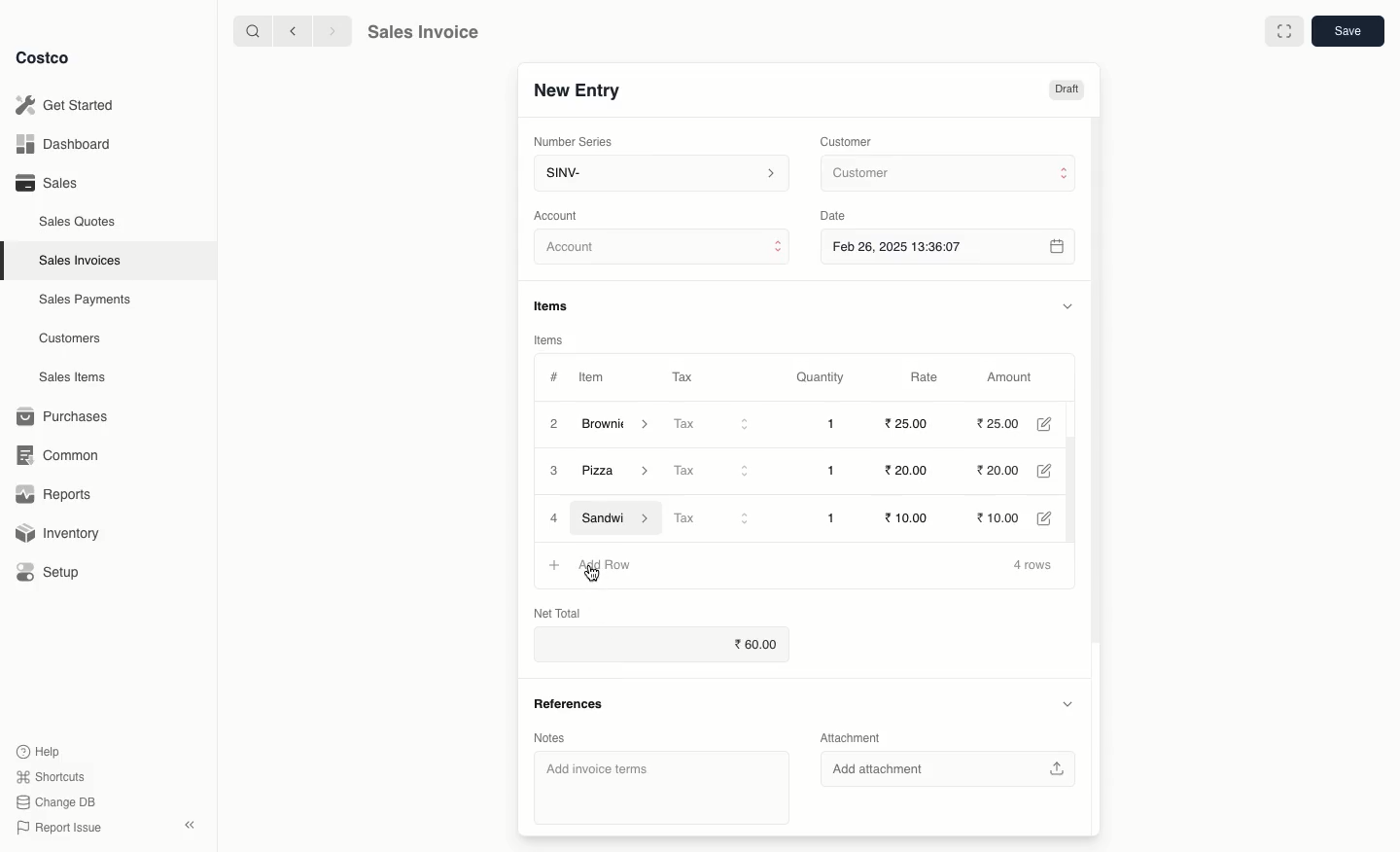  What do you see at coordinates (663, 250) in the screenshot?
I see `Account` at bounding box center [663, 250].